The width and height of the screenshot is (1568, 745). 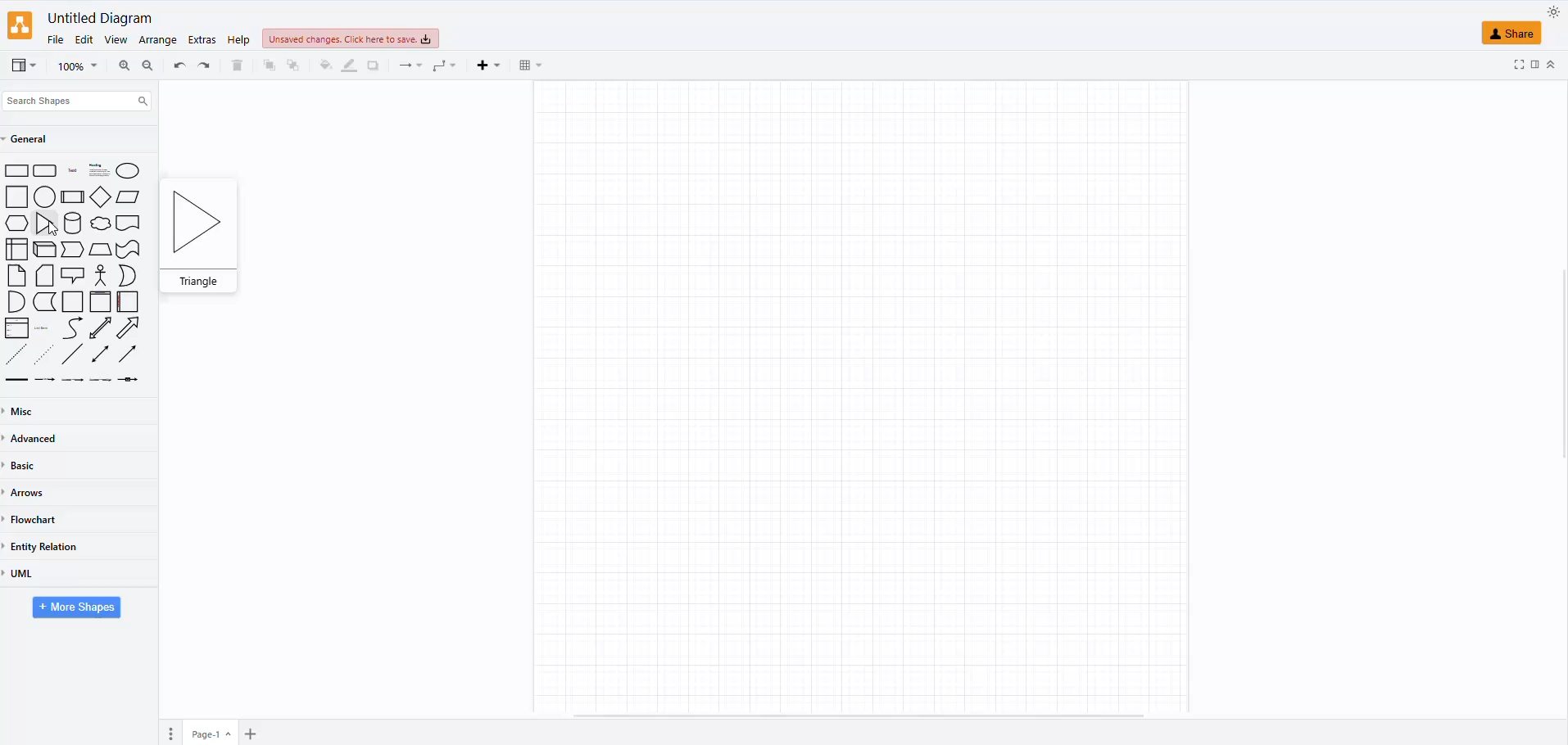 What do you see at coordinates (100, 327) in the screenshot?
I see `Two sided bordered Arrow` at bounding box center [100, 327].